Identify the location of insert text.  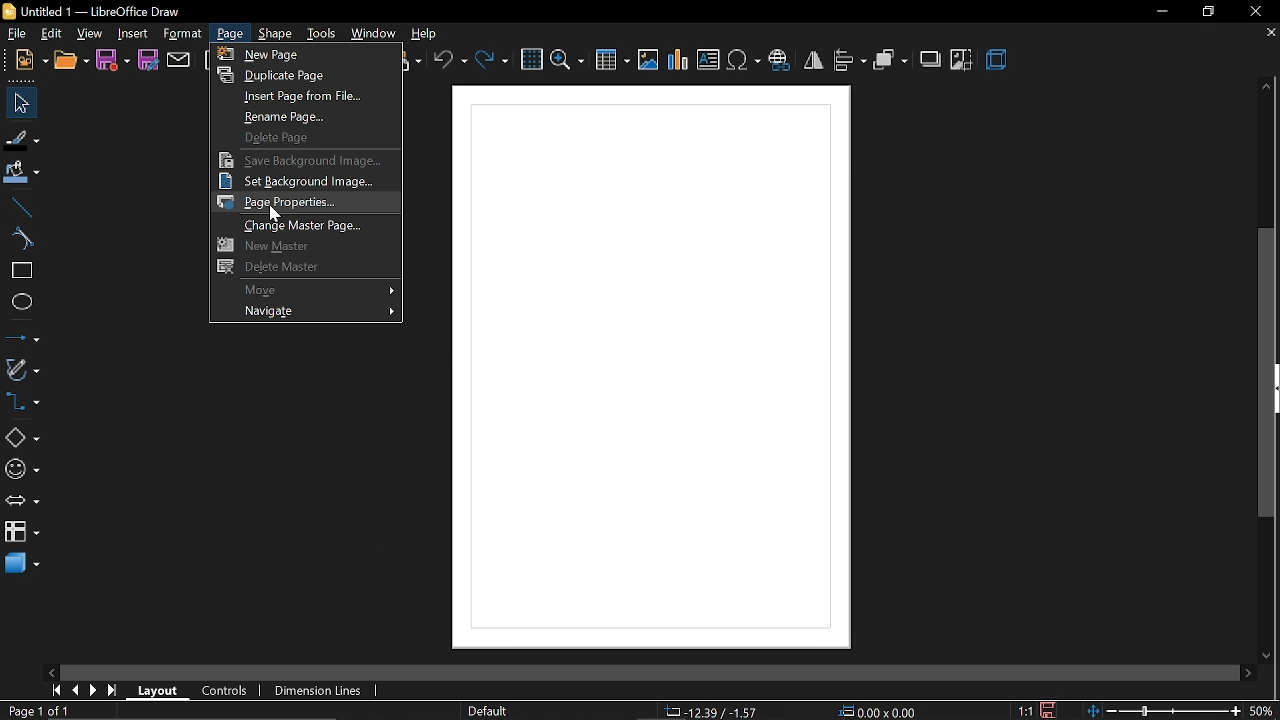
(709, 59).